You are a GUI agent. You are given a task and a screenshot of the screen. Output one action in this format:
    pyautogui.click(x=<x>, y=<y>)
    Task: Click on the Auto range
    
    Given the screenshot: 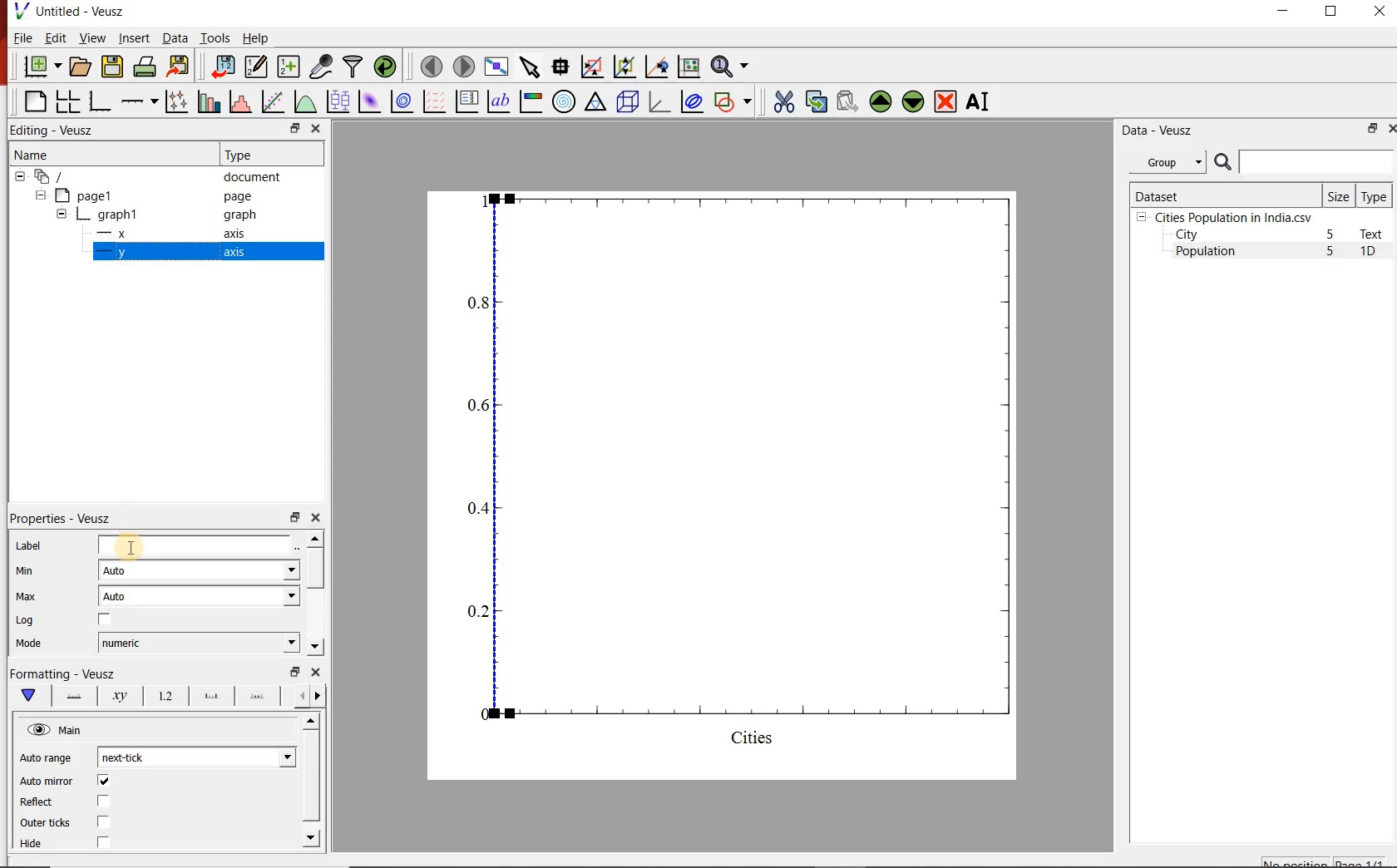 What is the action you would take?
    pyautogui.click(x=47, y=758)
    